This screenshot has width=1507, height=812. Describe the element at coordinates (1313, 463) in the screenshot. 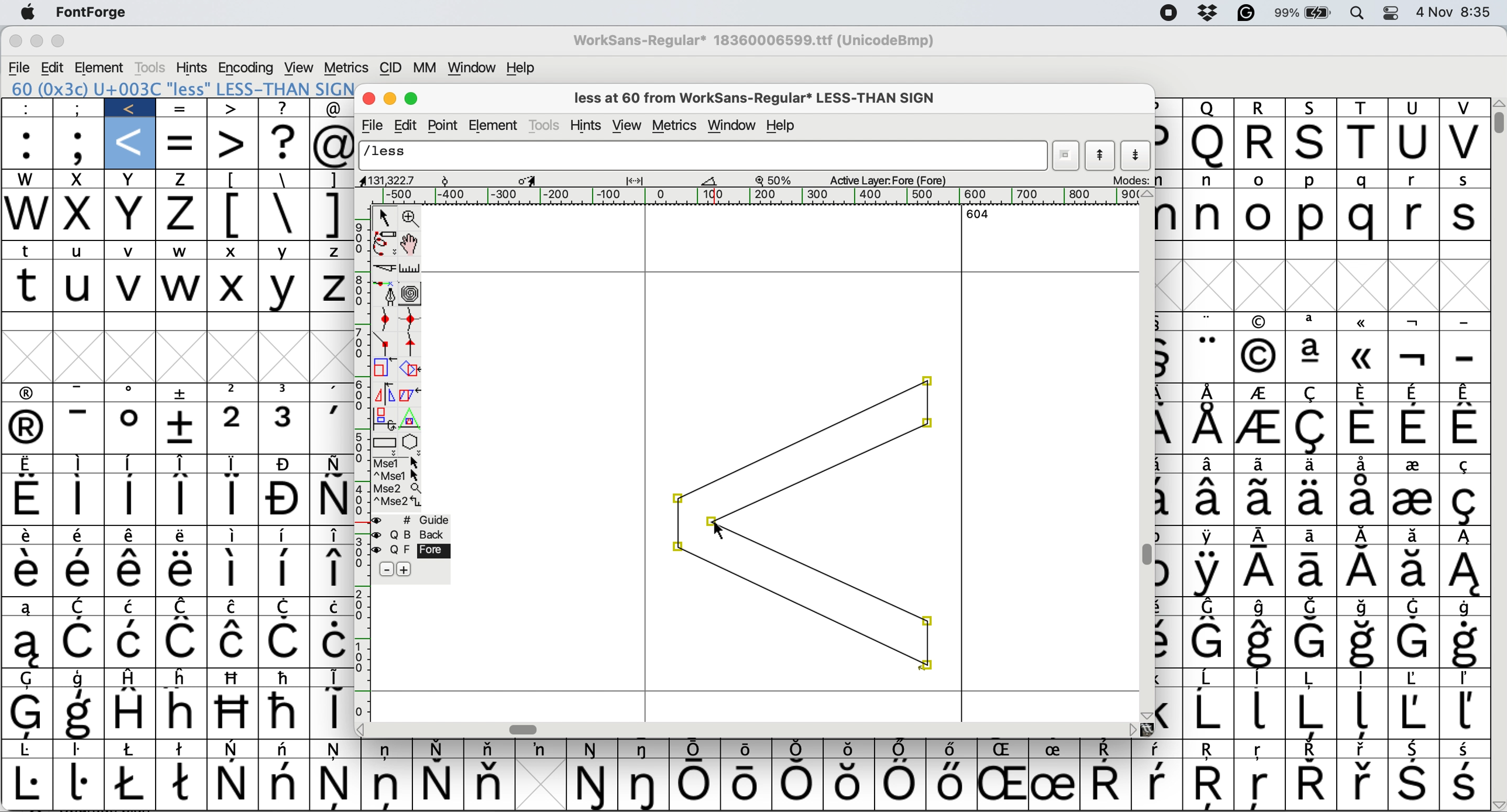

I see `Symbol` at that location.